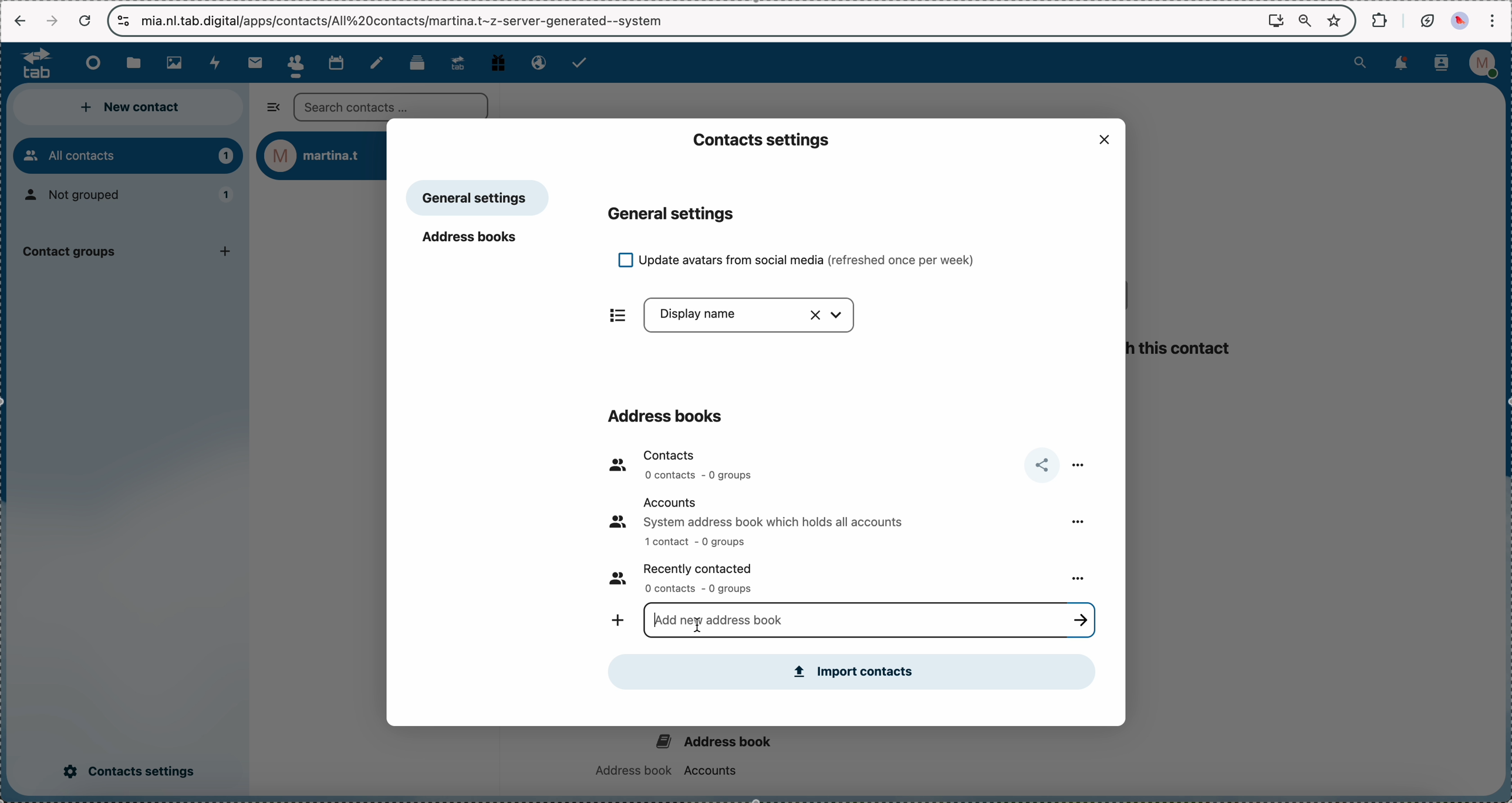 This screenshot has height=803, width=1512. I want to click on close popup, so click(1102, 139).